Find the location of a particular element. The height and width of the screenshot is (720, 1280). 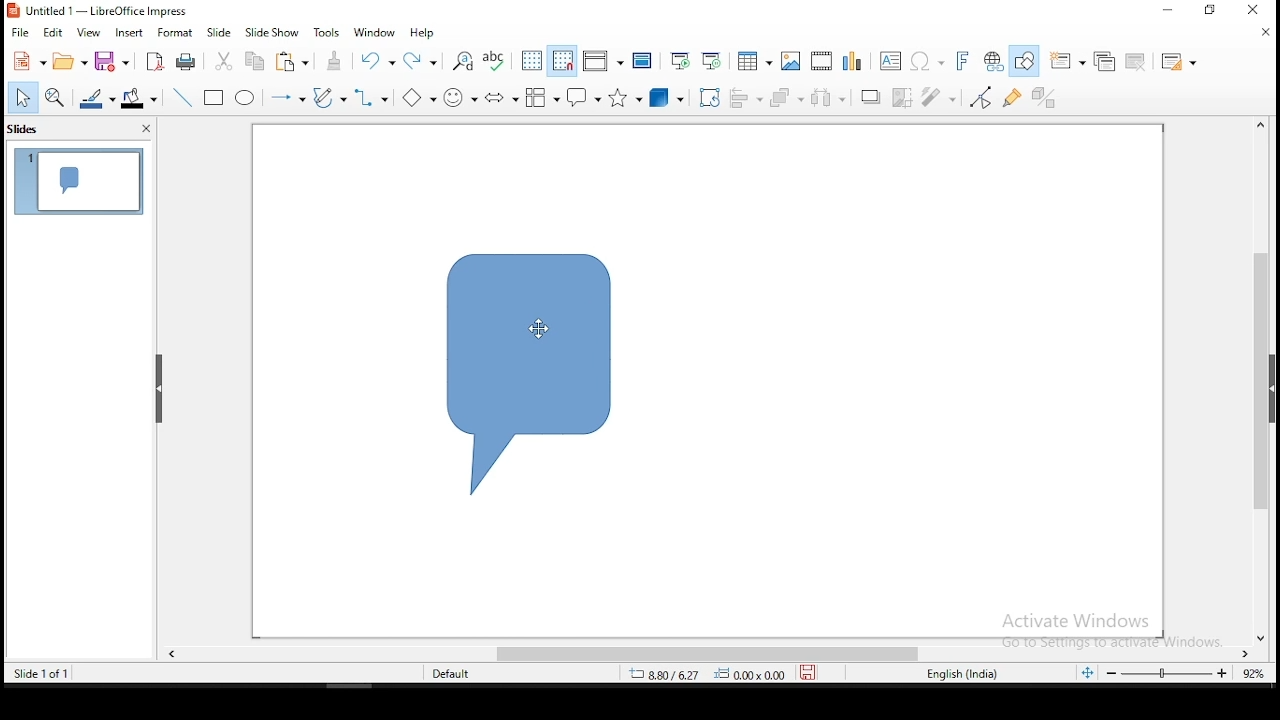

toggle extrusion is located at coordinates (1044, 97).